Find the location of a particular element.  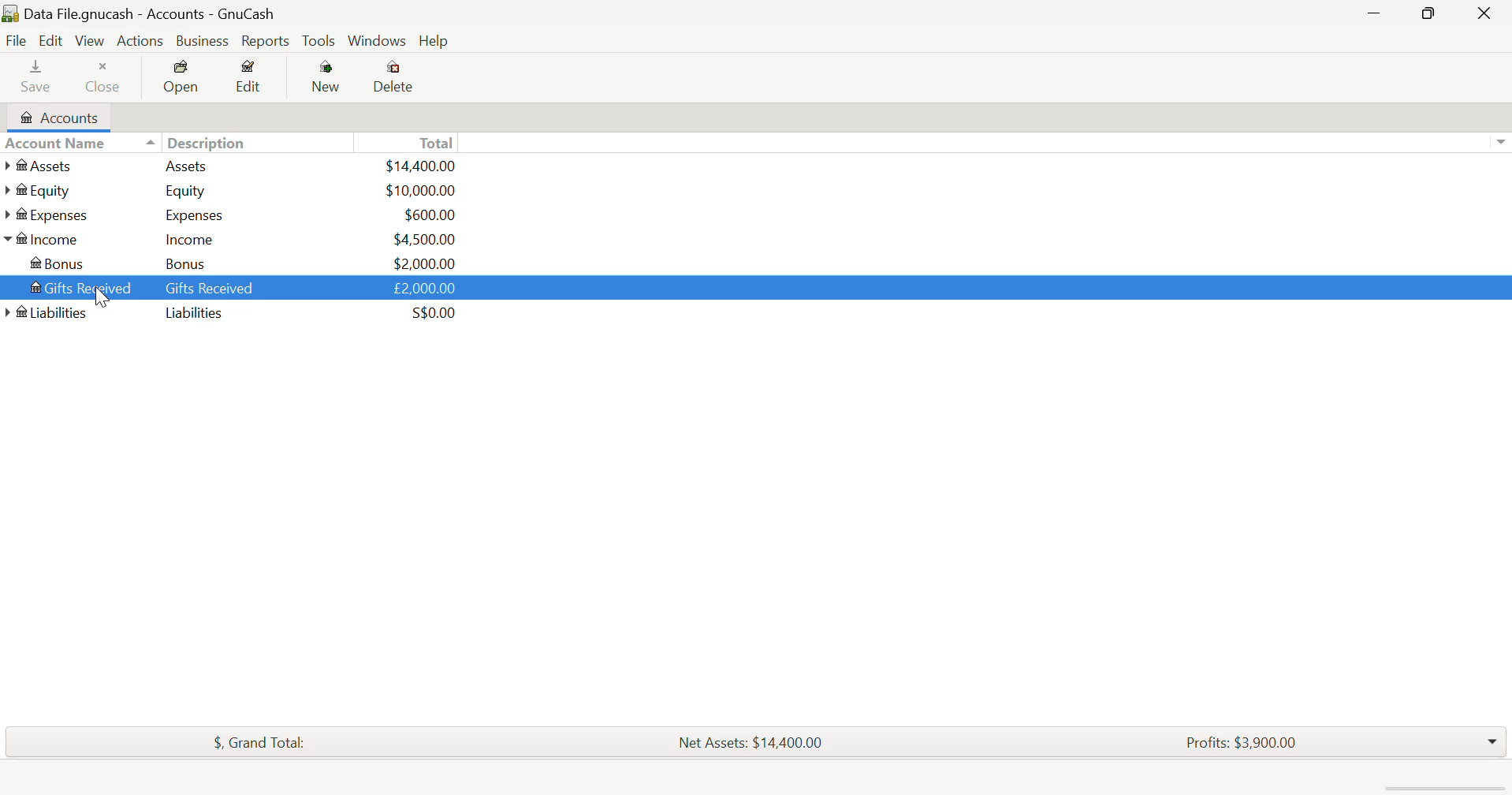

Bonus is located at coordinates (65, 262).